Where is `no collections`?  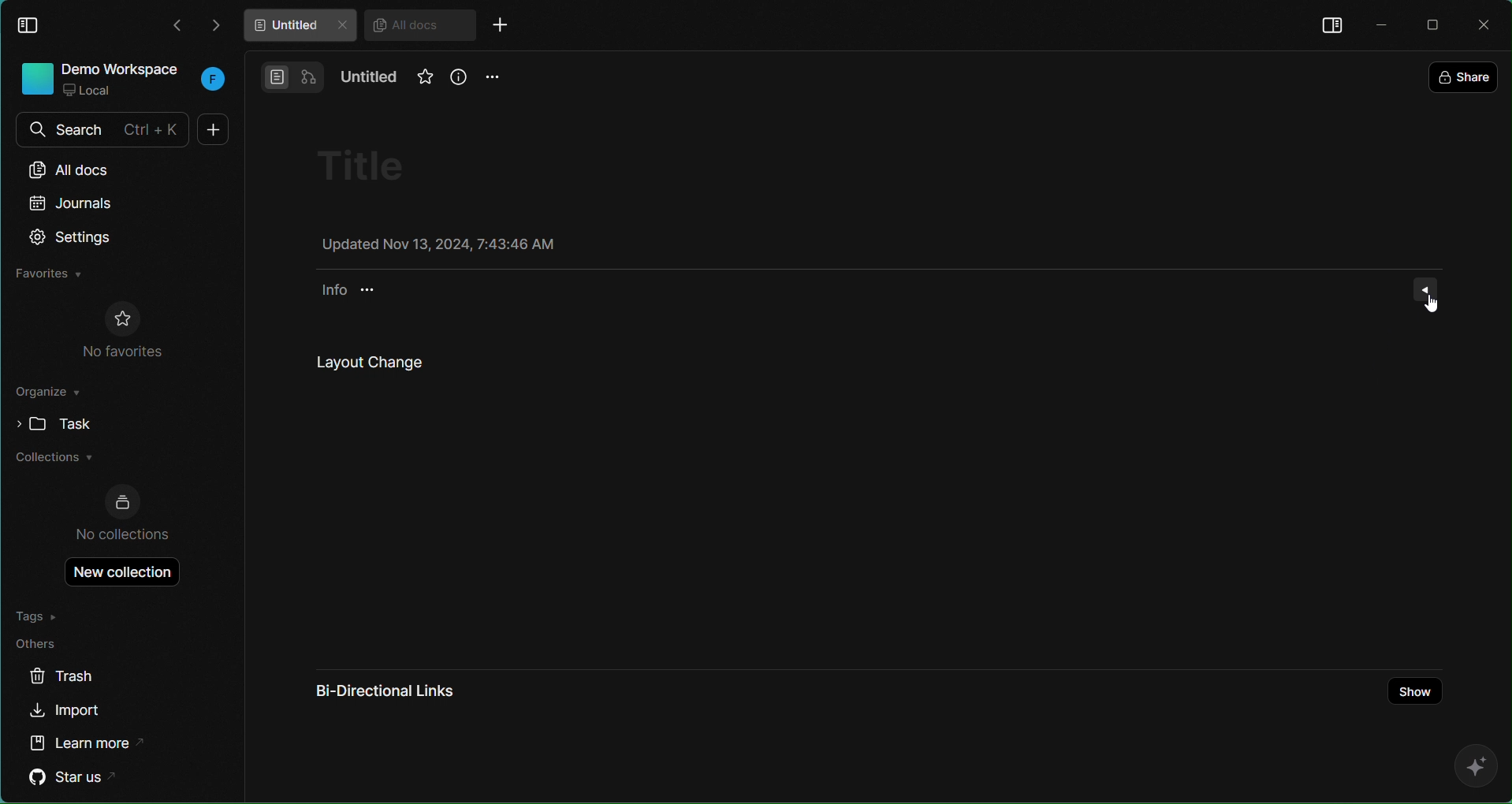
no collections is located at coordinates (124, 513).